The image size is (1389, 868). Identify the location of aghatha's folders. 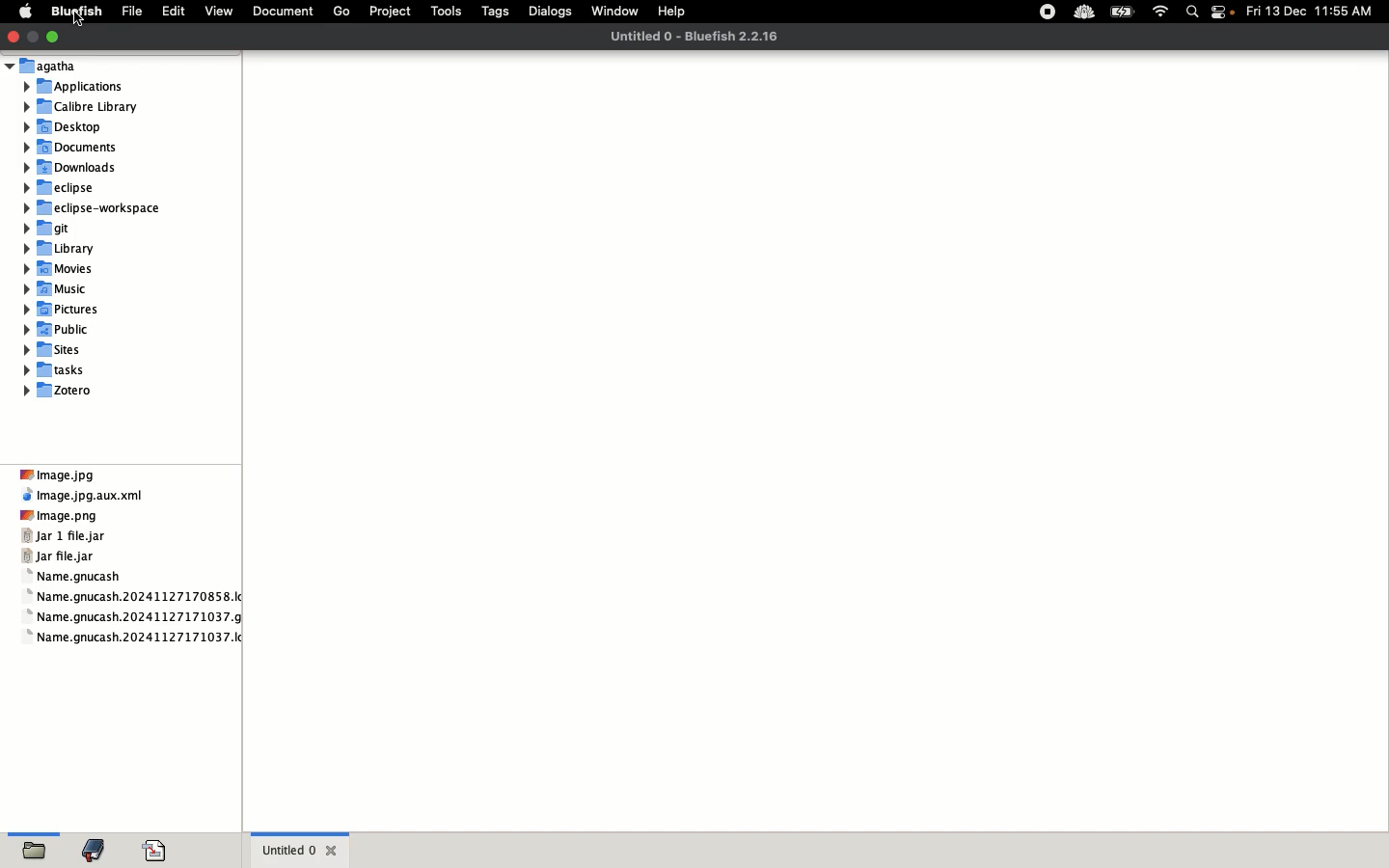
(45, 65).